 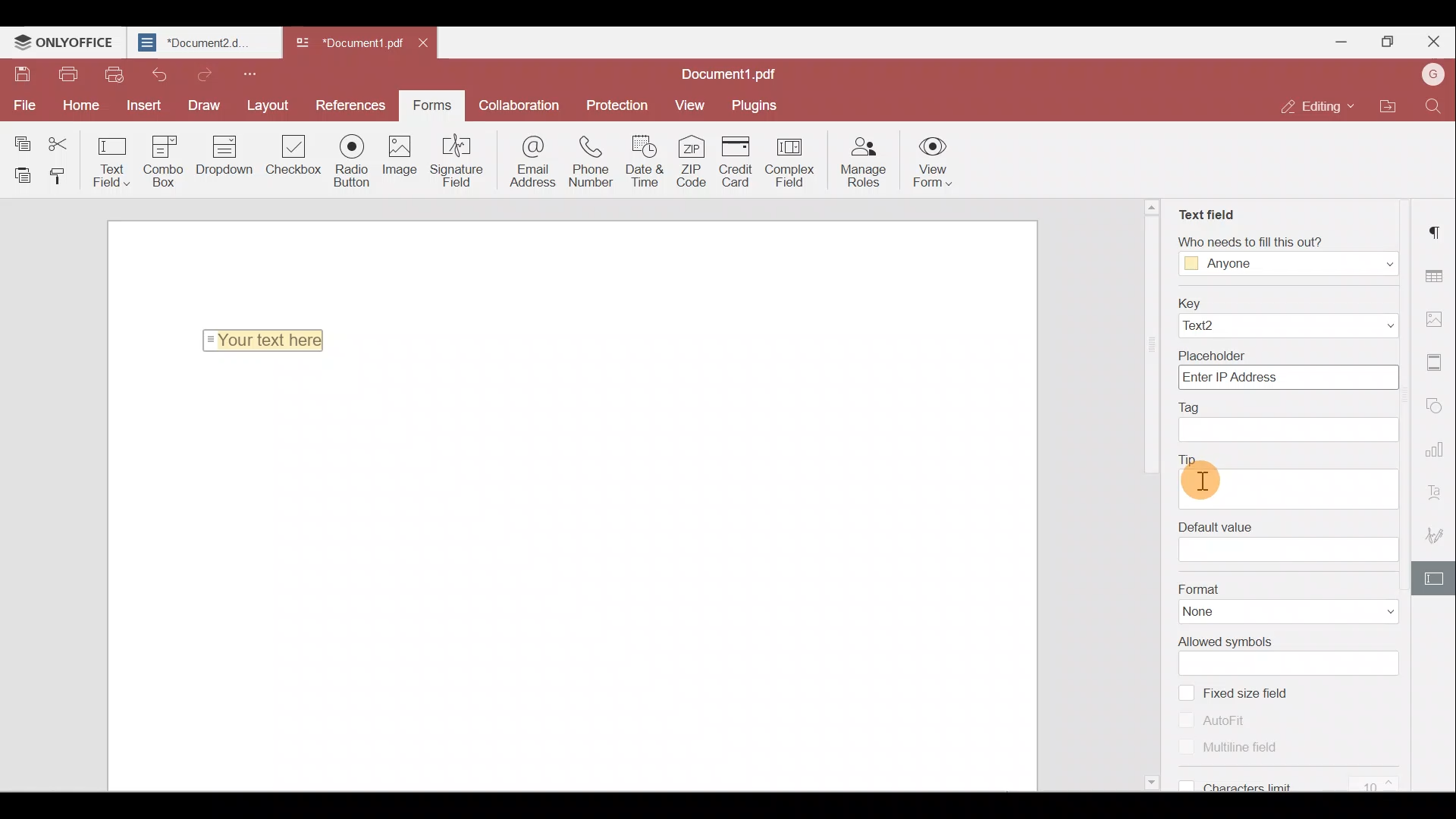 I want to click on Cursor on tip, so click(x=1202, y=480).